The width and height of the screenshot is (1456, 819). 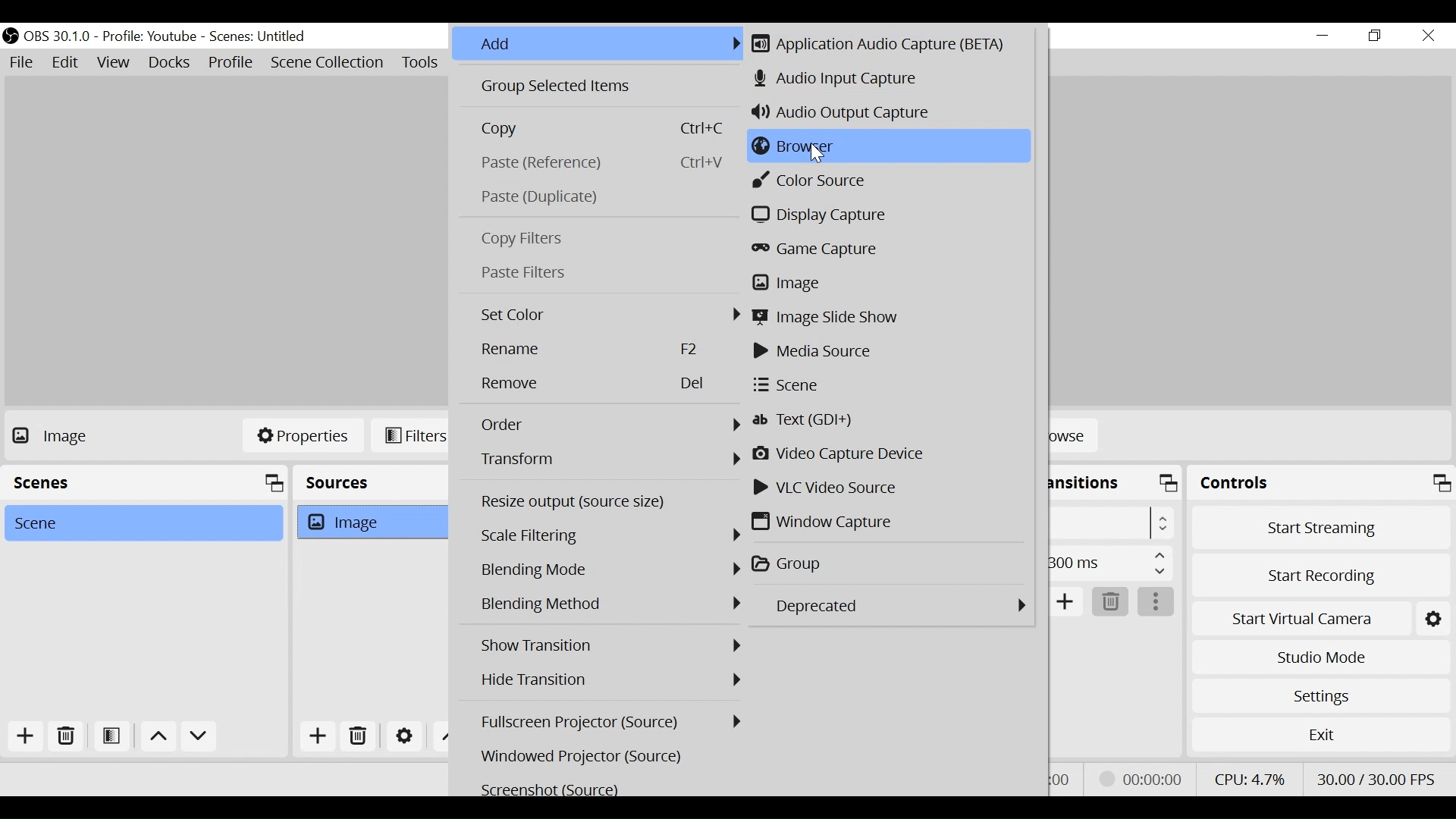 I want to click on View, so click(x=113, y=64).